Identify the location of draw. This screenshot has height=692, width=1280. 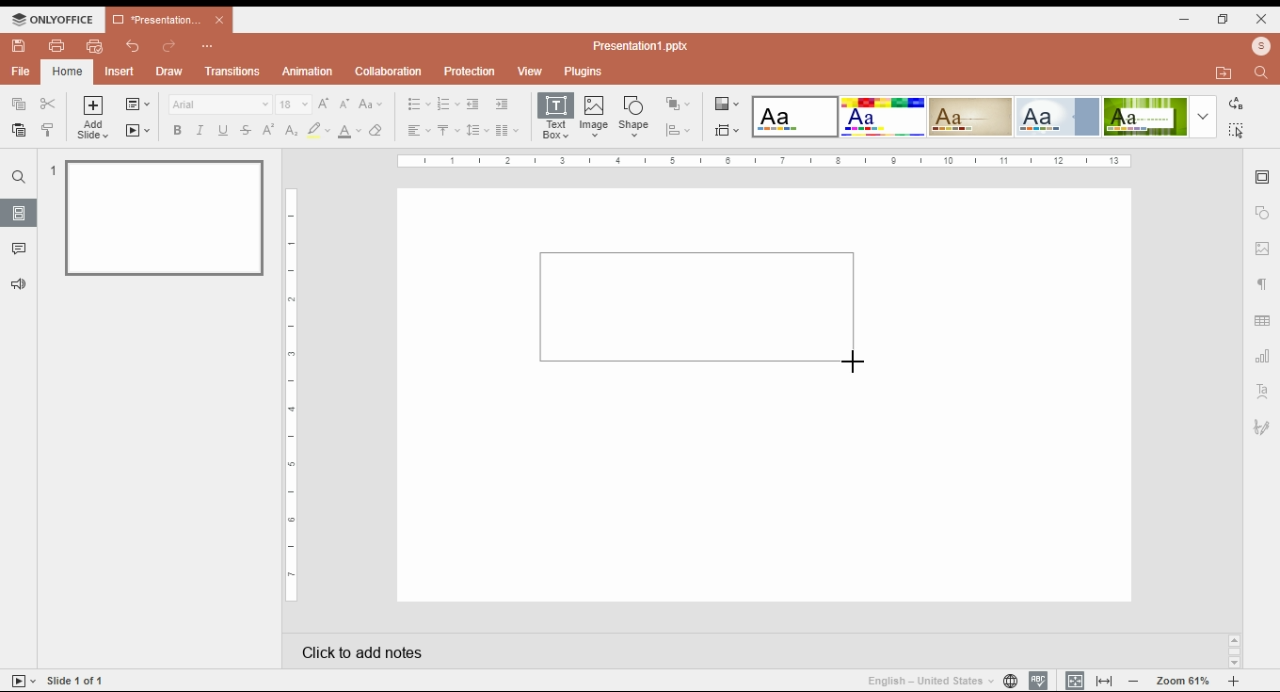
(169, 72).